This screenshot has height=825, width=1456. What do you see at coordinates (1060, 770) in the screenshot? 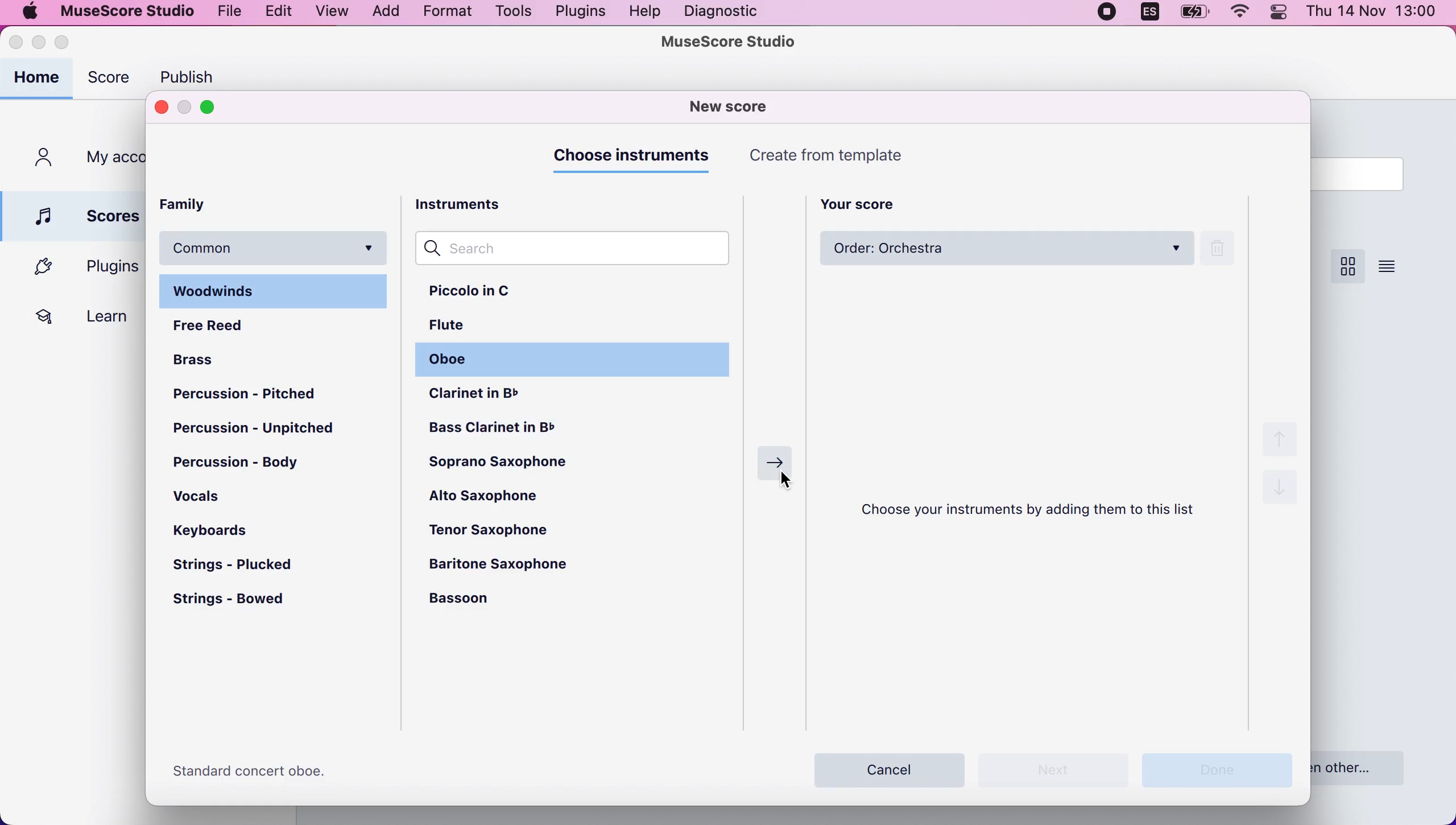
I see `next` at bounding box center [1060, 770].